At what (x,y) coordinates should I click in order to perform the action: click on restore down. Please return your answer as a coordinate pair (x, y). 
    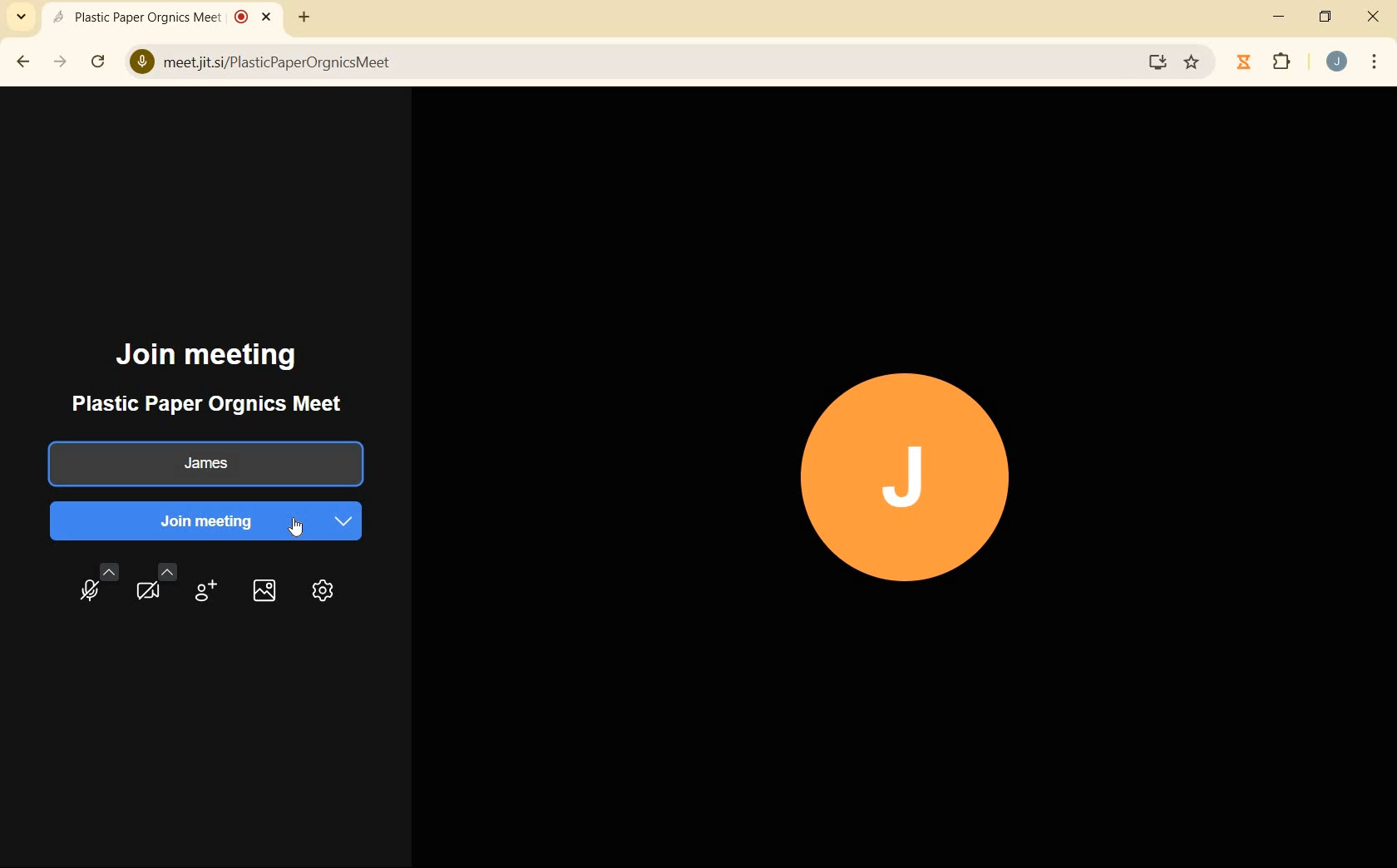
    Looking at the image, I should click on (1327, 18).